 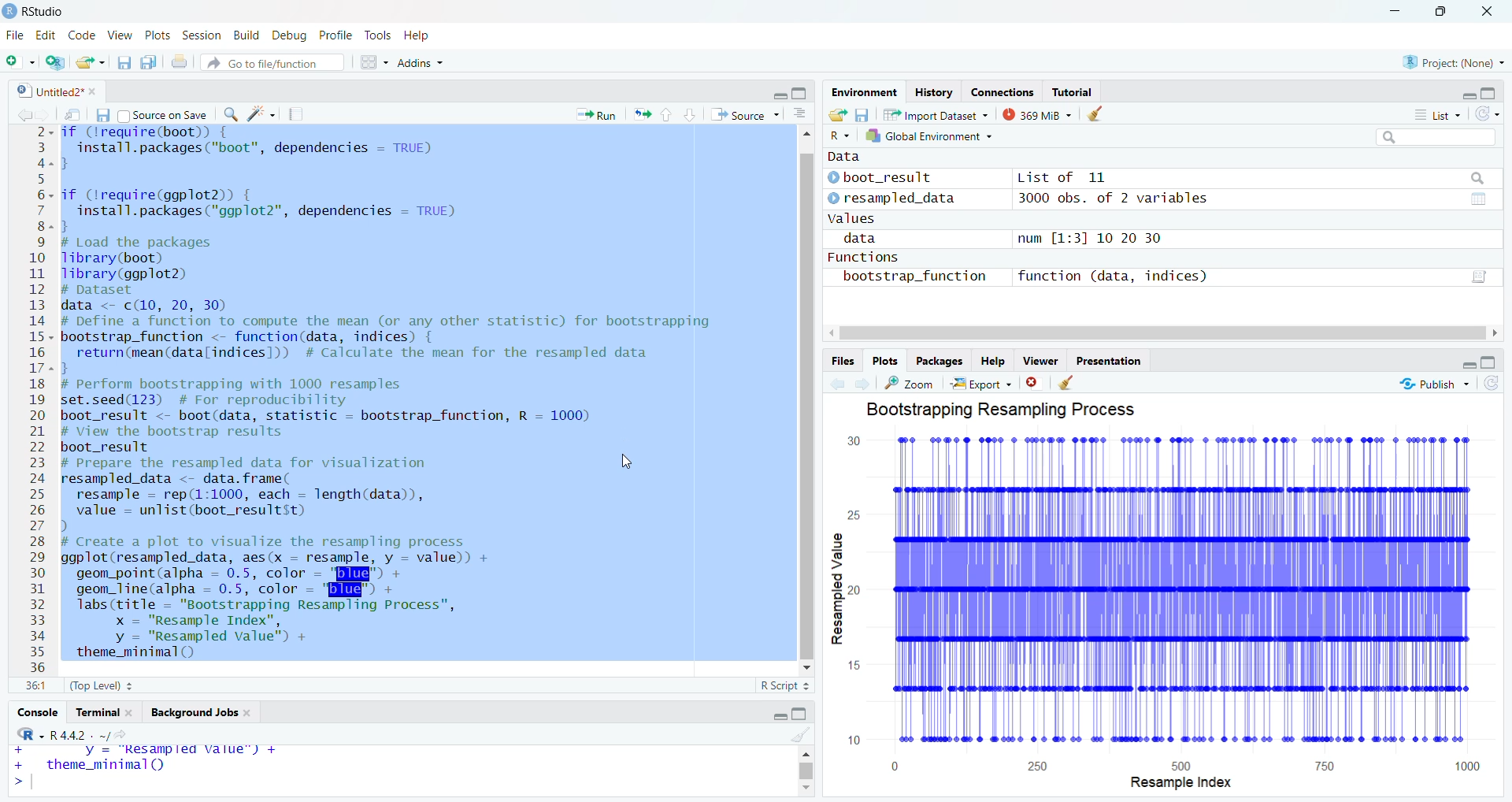 I want to click on publish, so click(x=1435, y=386).